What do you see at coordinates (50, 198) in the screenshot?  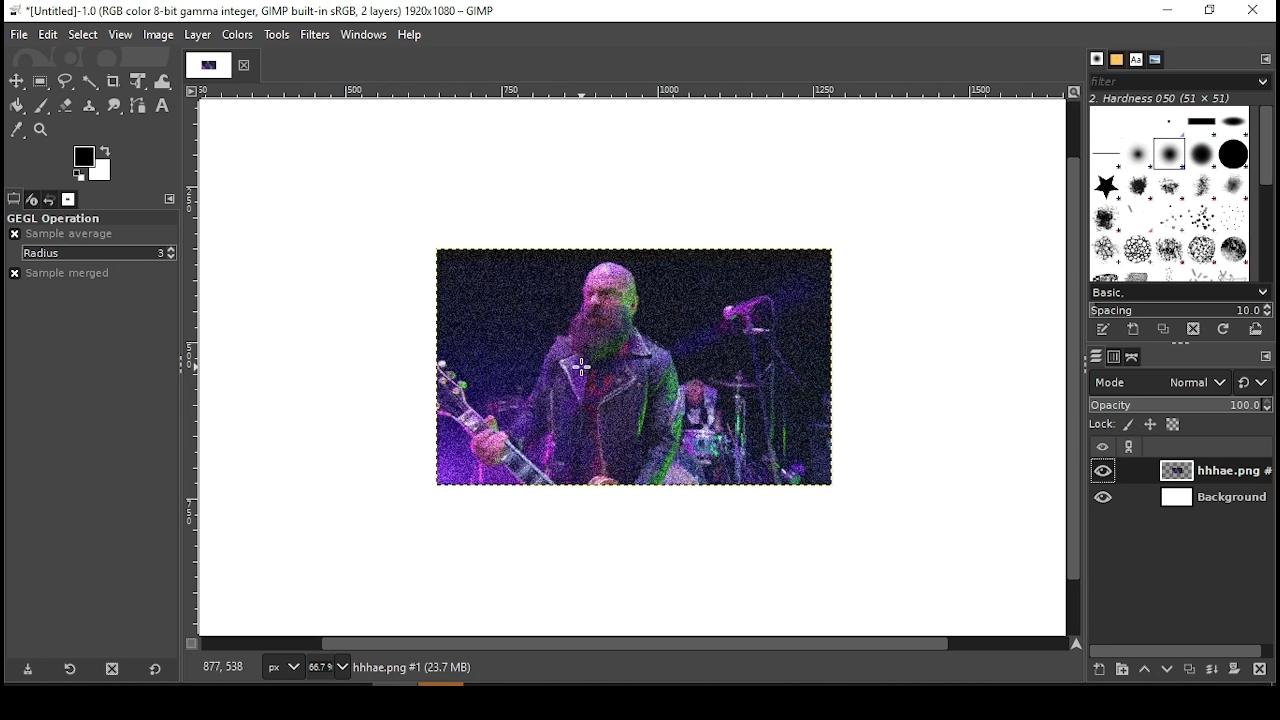 I see `undo history` at bounding box center [50, 198].